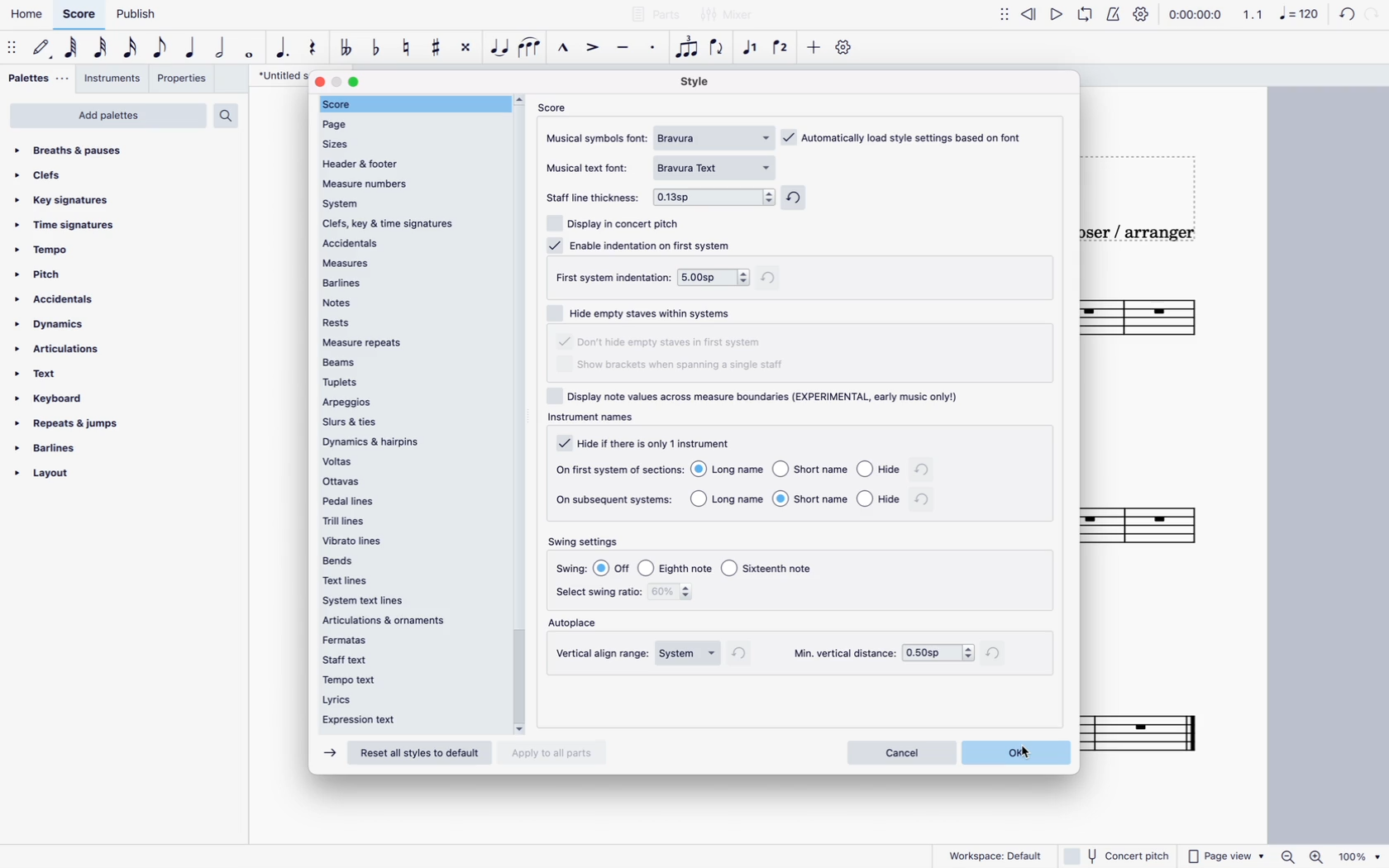 The image size is (1389, 868). What do you see at coordinates (414, 264) in the screenshot?
I see `measures` at bounding box center [414, 264].